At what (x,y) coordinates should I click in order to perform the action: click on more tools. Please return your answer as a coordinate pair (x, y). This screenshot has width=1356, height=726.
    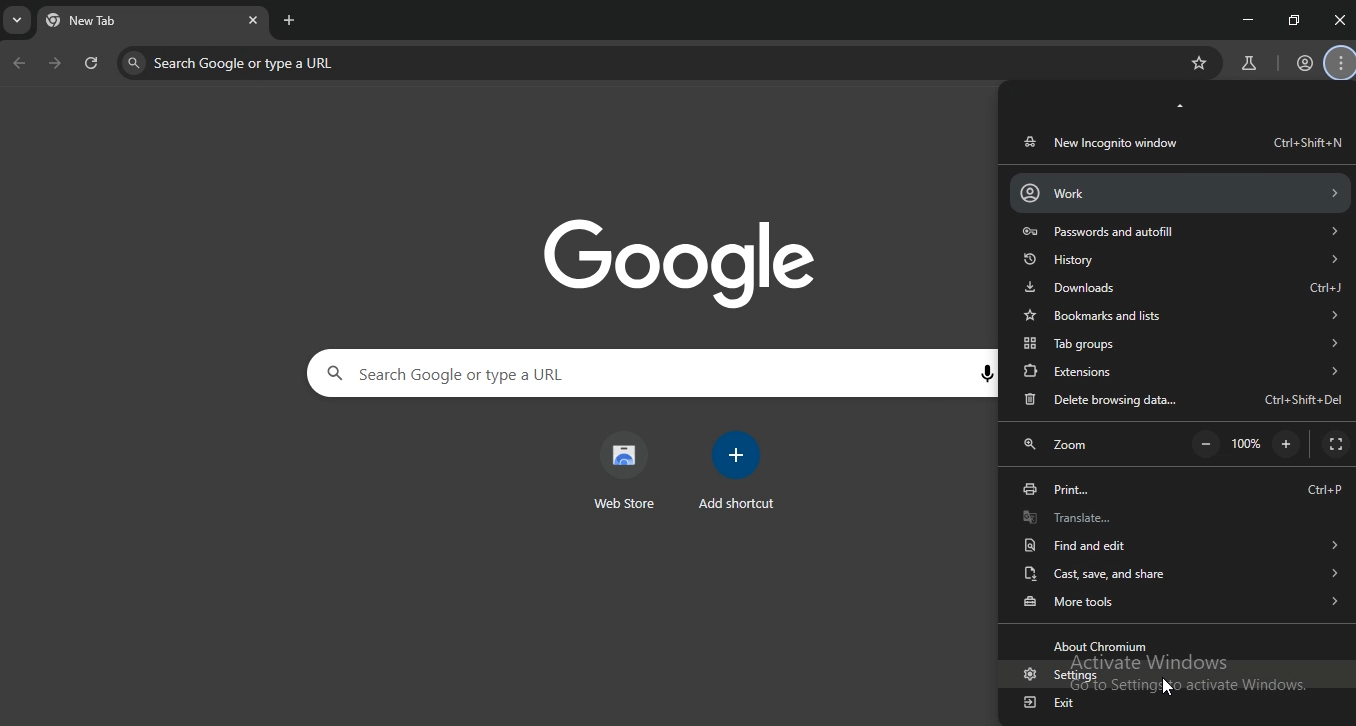
    Looking at the image, I should click on (1180, 600).